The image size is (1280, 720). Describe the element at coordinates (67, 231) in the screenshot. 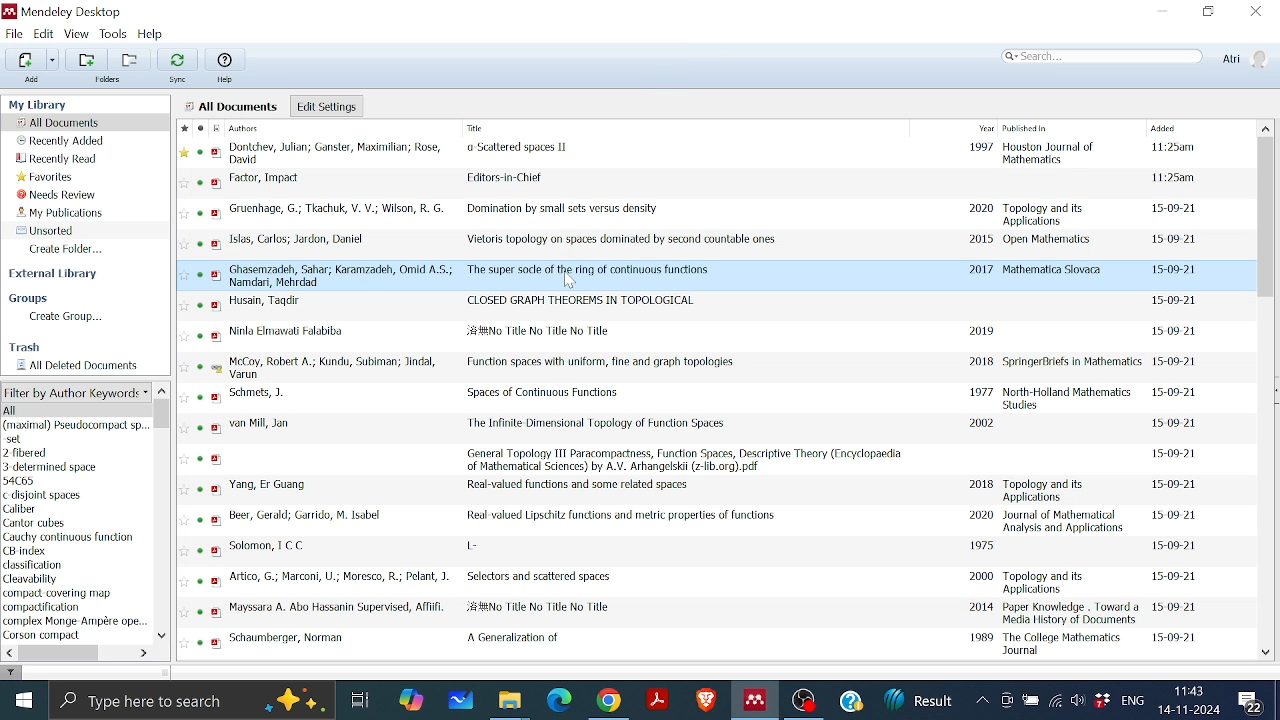

I see `Unsorted` at that location.